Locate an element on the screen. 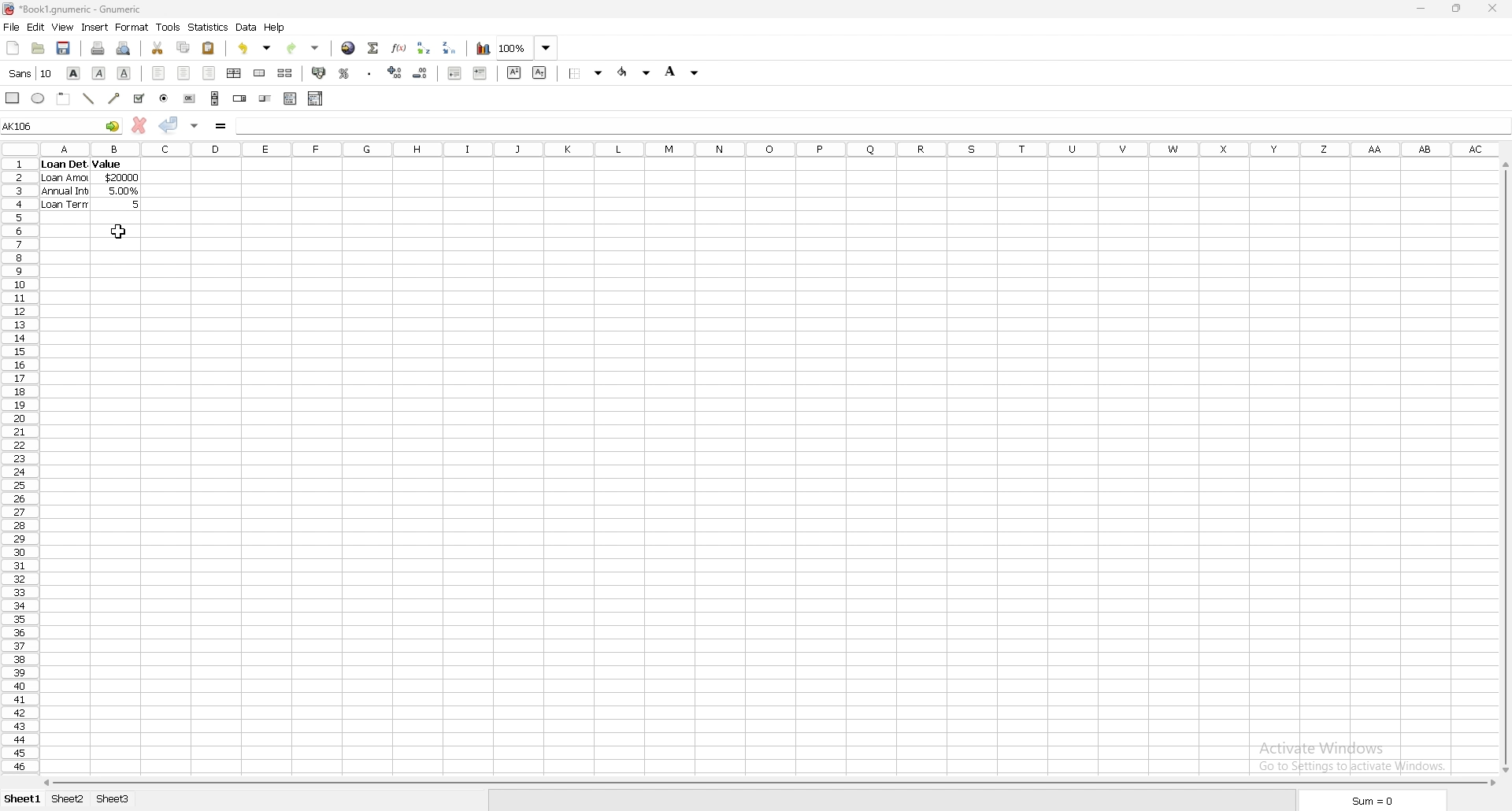 This screenshot has width=1512, height=811. tools is located at coordinates (168, 28).